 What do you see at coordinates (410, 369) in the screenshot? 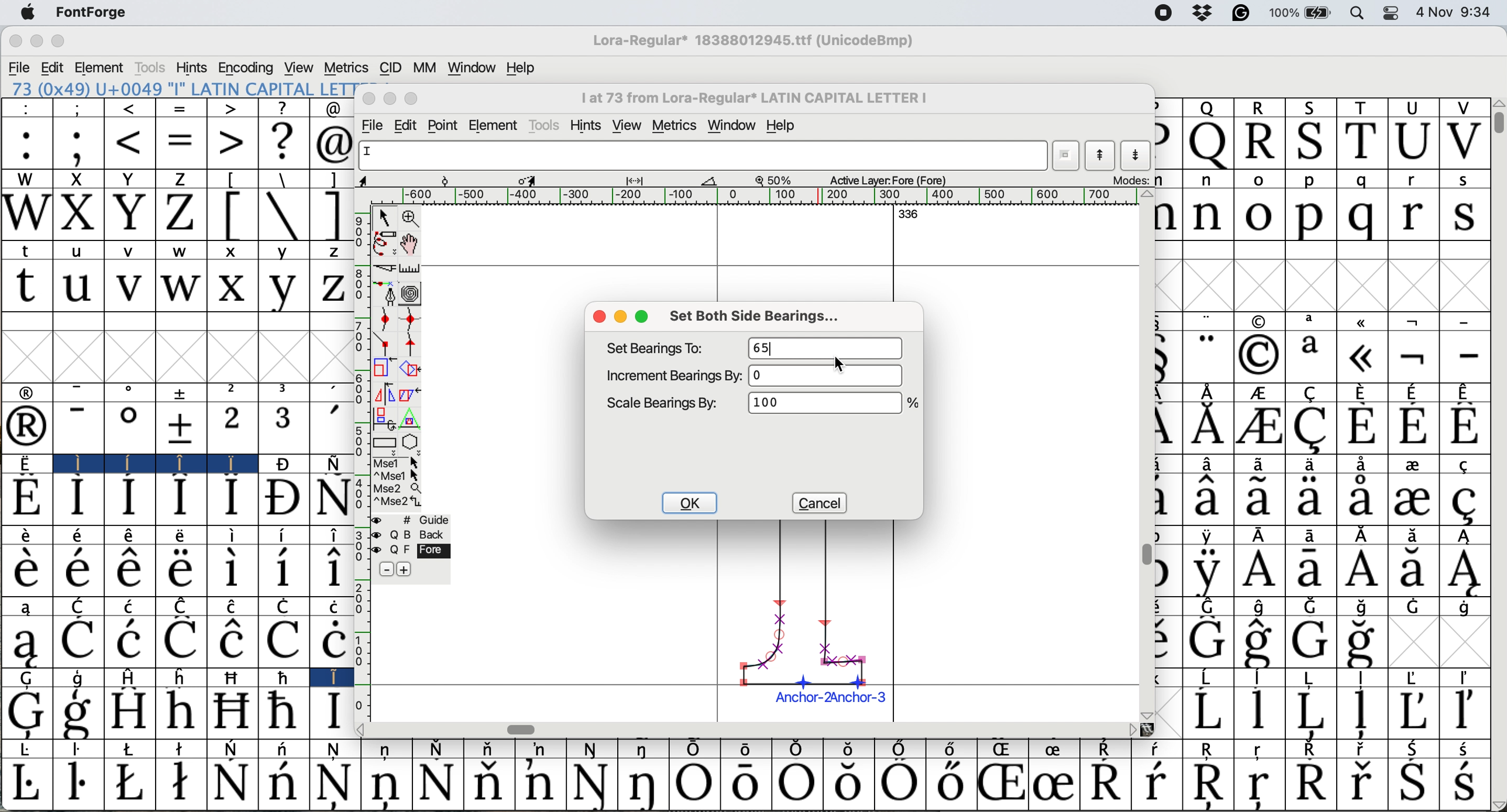
I see `rotate the selection` at bounding box center [410, 369].